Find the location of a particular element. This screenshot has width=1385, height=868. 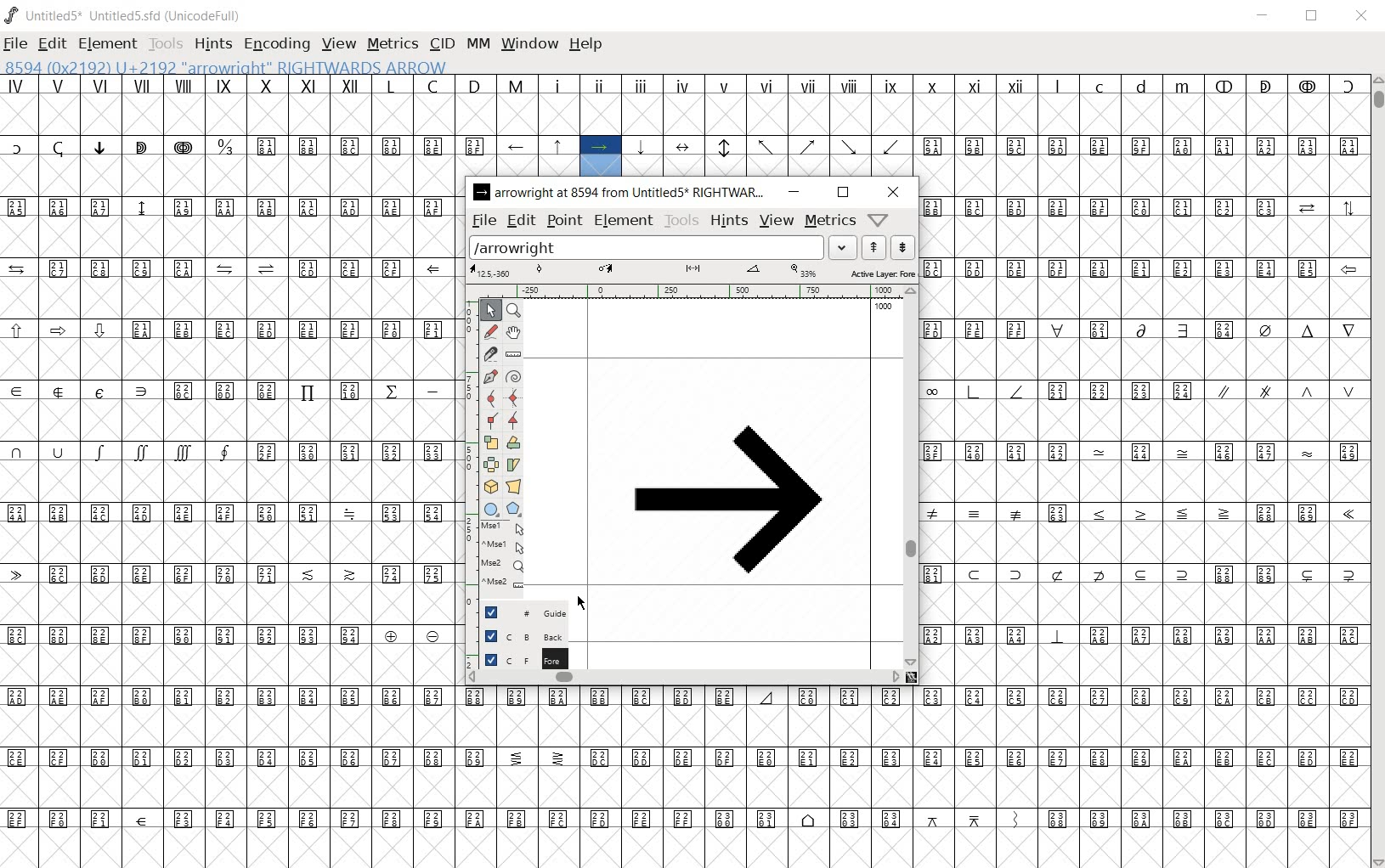

file is located at coordinates (483, 221).